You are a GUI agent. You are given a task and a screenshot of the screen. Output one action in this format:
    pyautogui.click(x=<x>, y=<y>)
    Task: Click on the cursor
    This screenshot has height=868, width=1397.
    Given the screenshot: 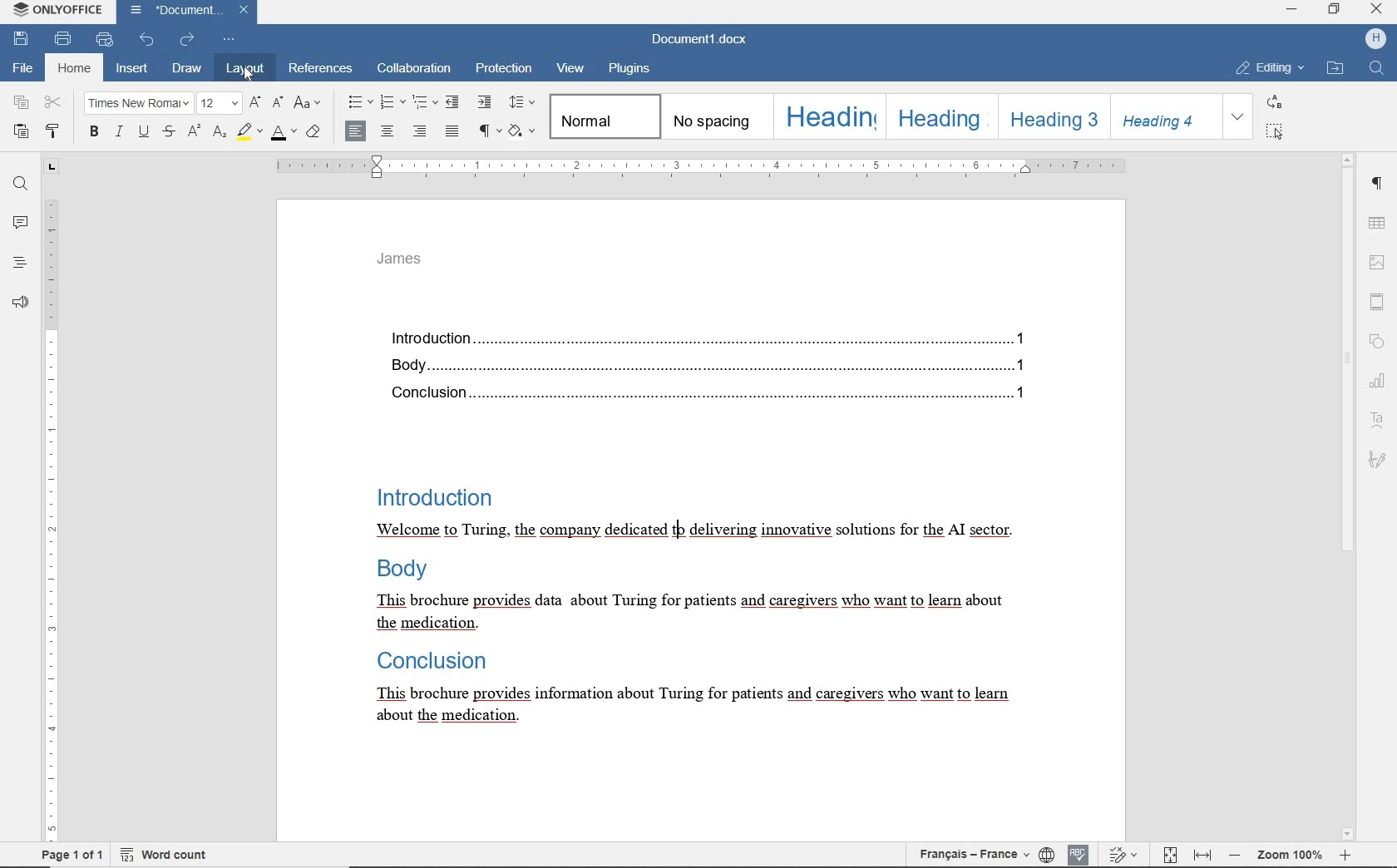 What is the action you would take?
    pyautogui.click(x=249, y=76)
    